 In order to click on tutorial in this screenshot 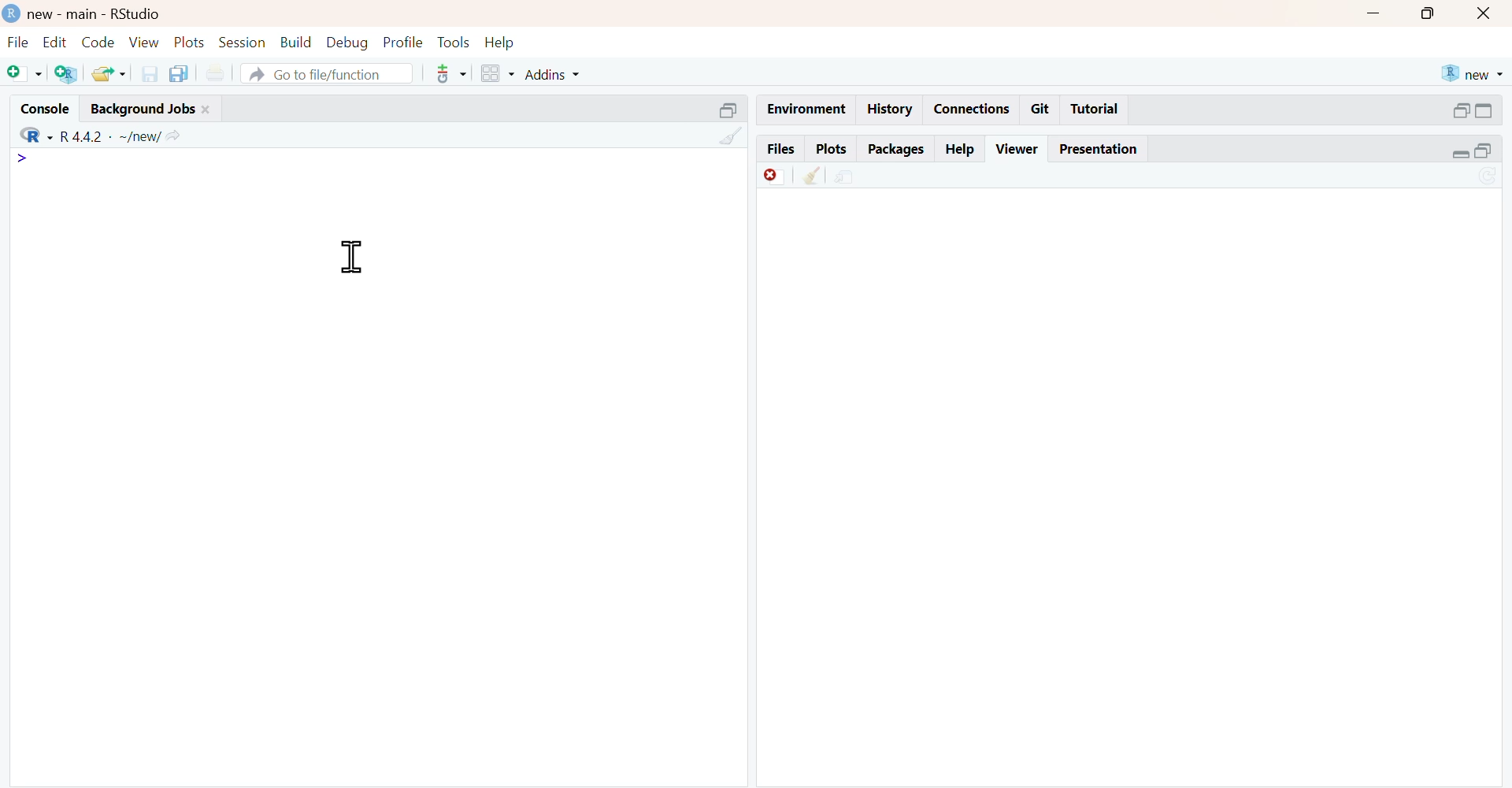, I will do `click(1094, 110)`.